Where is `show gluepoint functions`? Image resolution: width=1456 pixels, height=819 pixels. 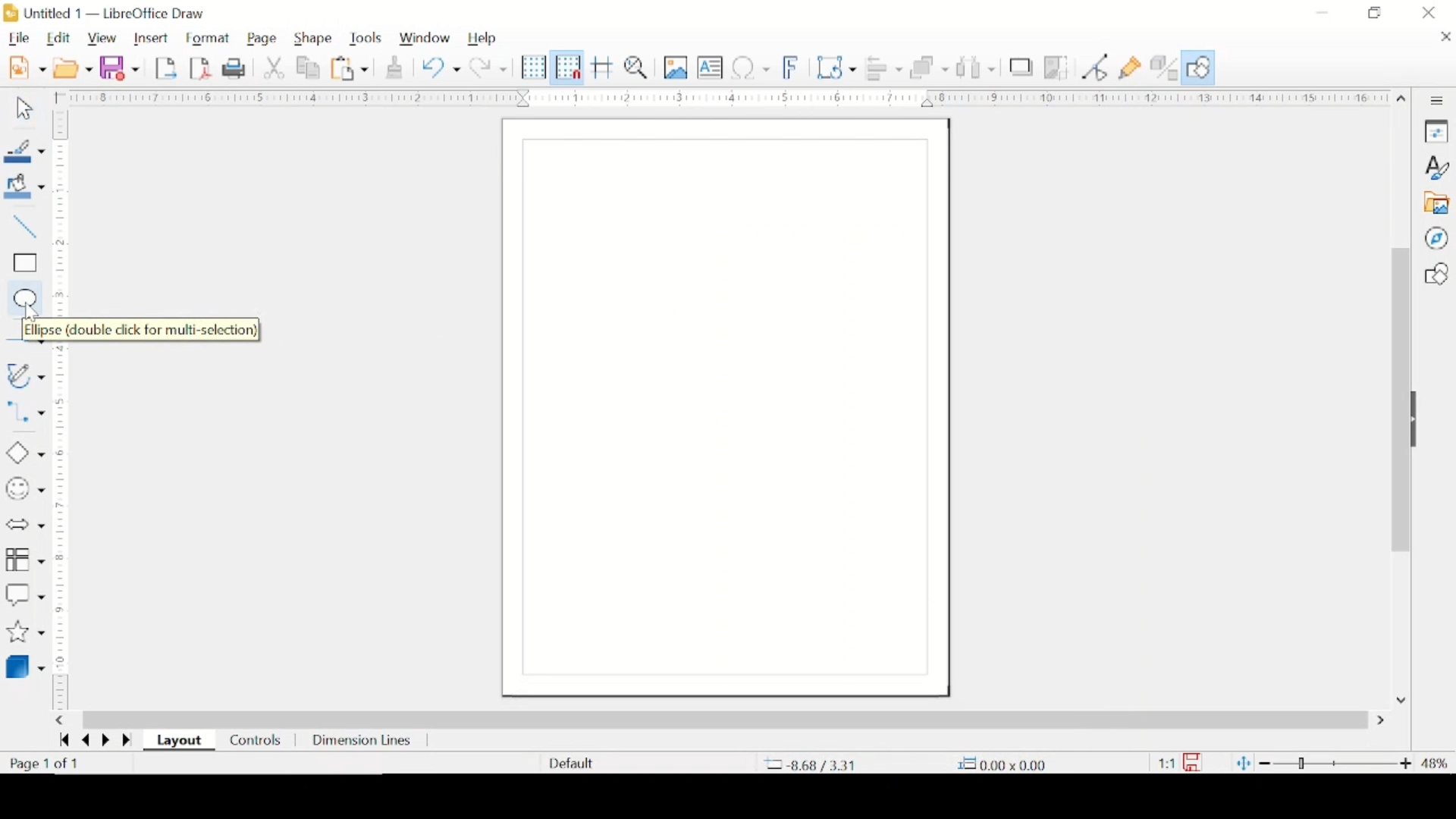
show gluepoint functions is located at coordinates (1131, 67).